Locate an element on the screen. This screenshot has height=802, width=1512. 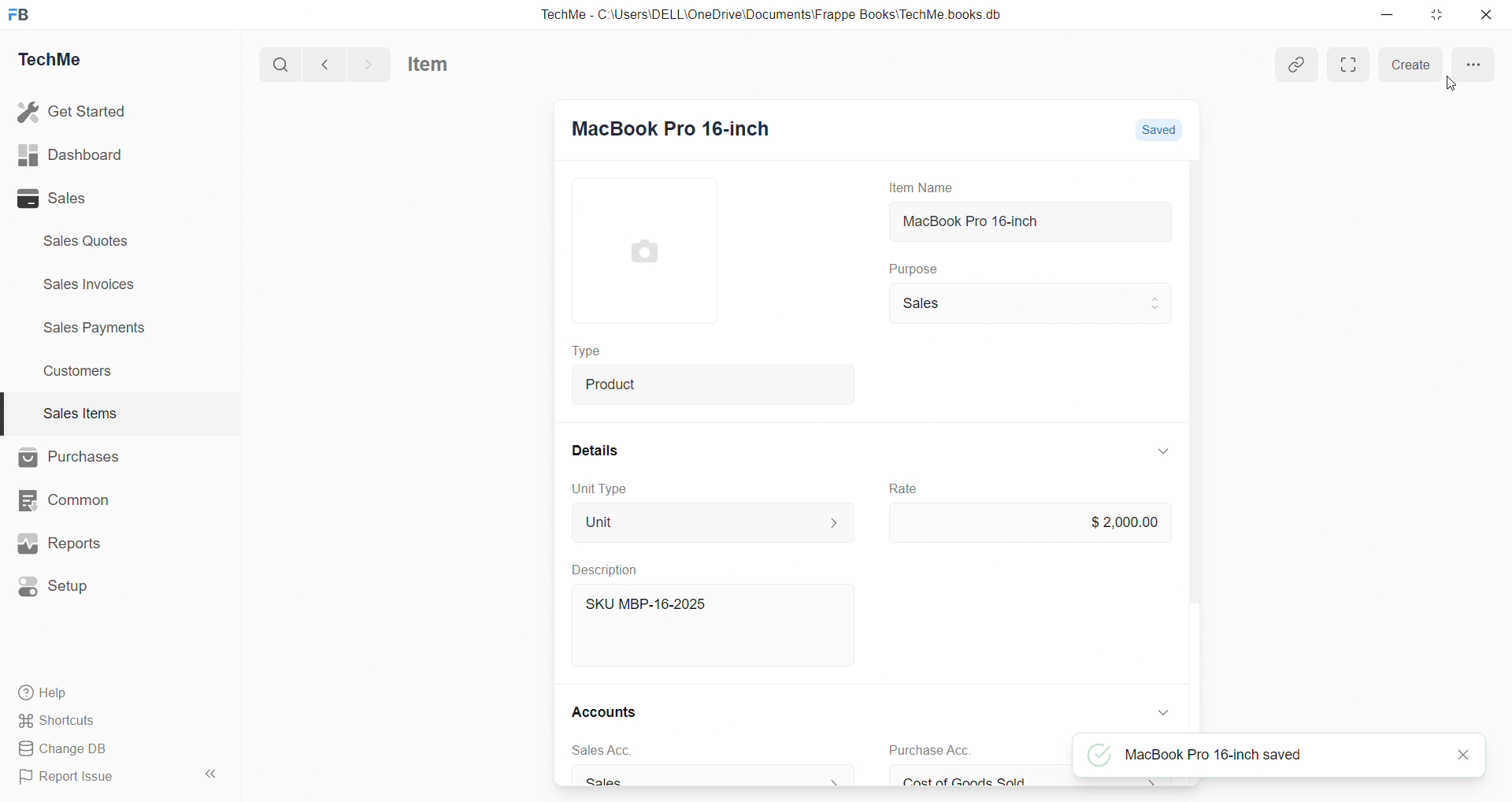
Product is located at coordinates (712, 385).